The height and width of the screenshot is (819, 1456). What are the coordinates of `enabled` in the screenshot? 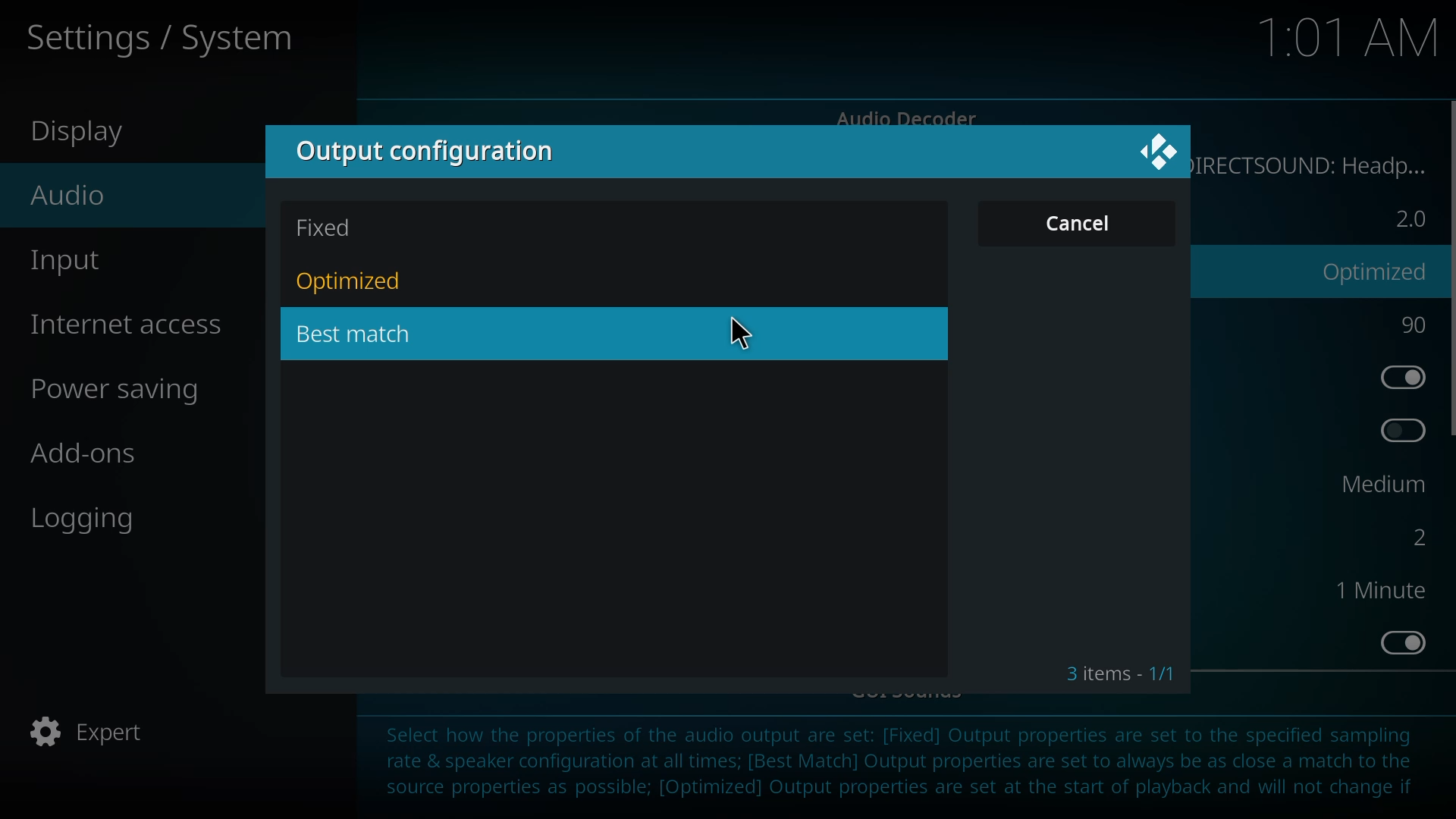 It's located at (1399, 375).